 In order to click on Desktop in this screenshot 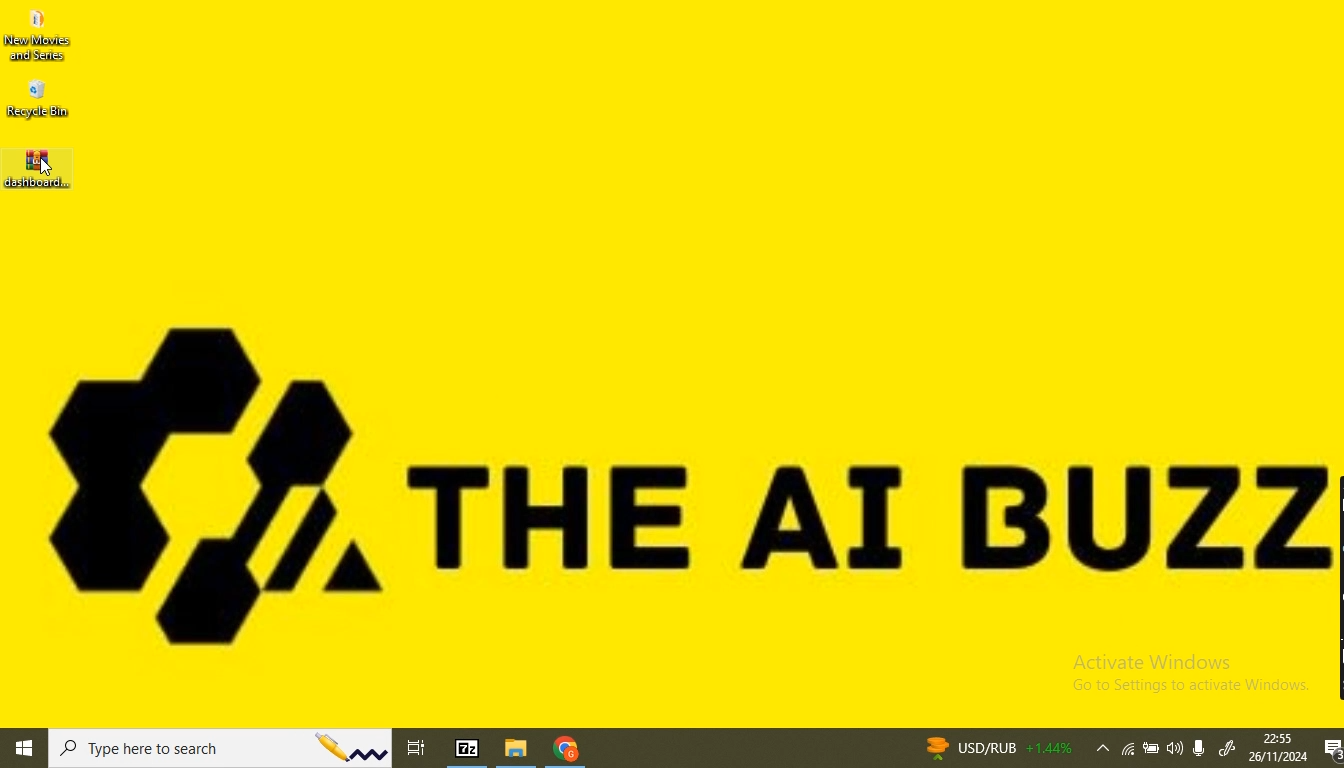, I will do `click(721, 368)`.